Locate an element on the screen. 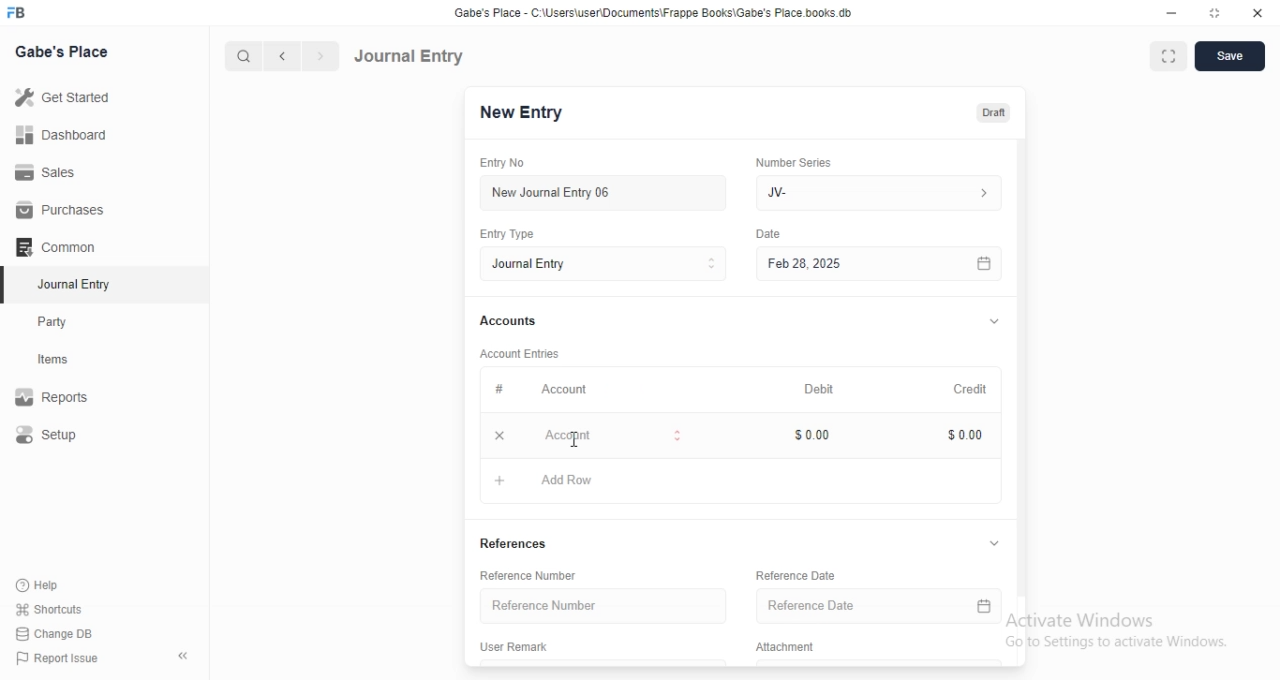 This screenshot has height=680, width=1280. save is located at coordinates (1232, 56).